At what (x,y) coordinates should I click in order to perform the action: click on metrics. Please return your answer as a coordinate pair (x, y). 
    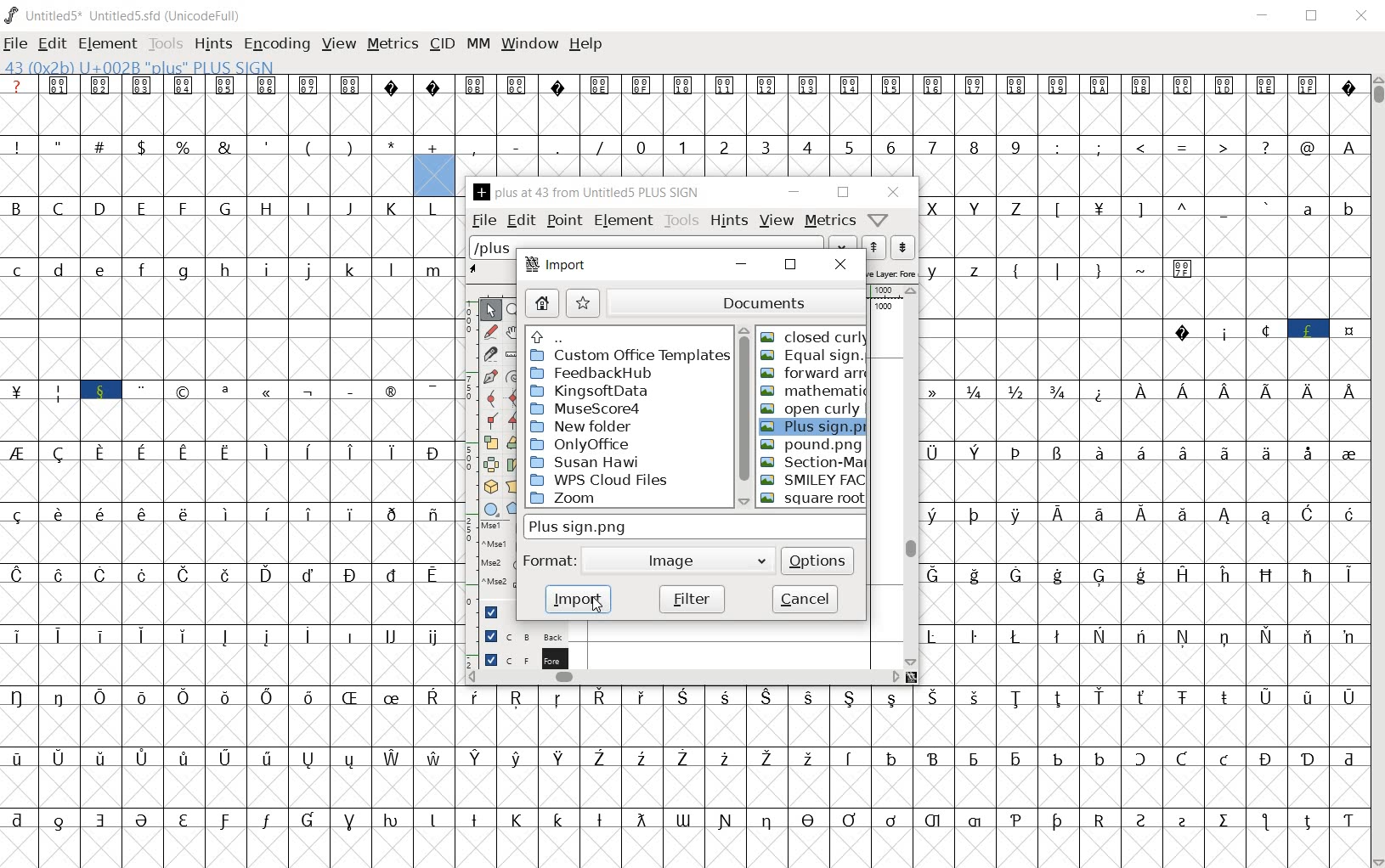
    Looking at the image, I should click on (392, 45).